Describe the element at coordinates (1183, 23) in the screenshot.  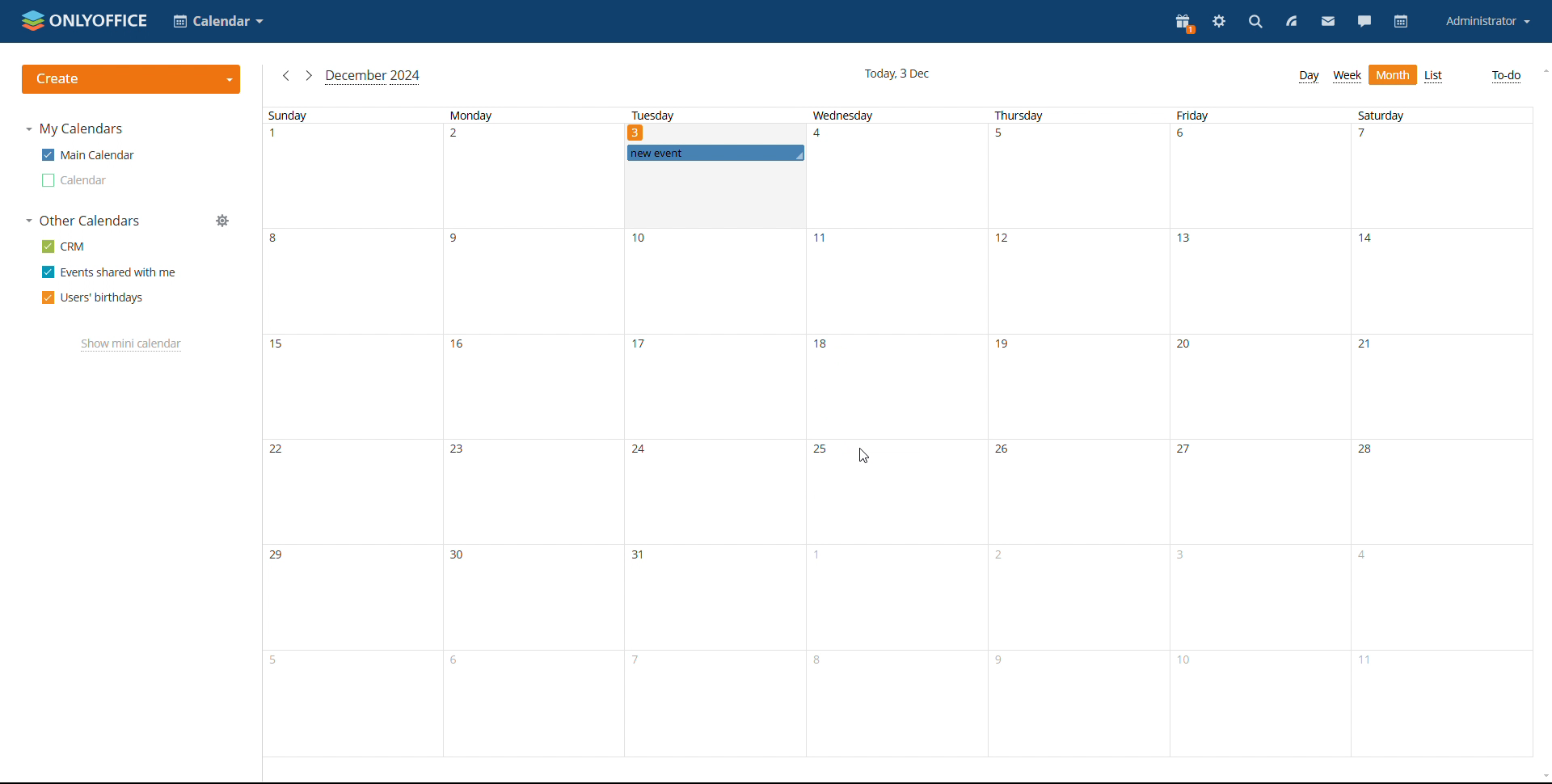
I see `present` at that location.